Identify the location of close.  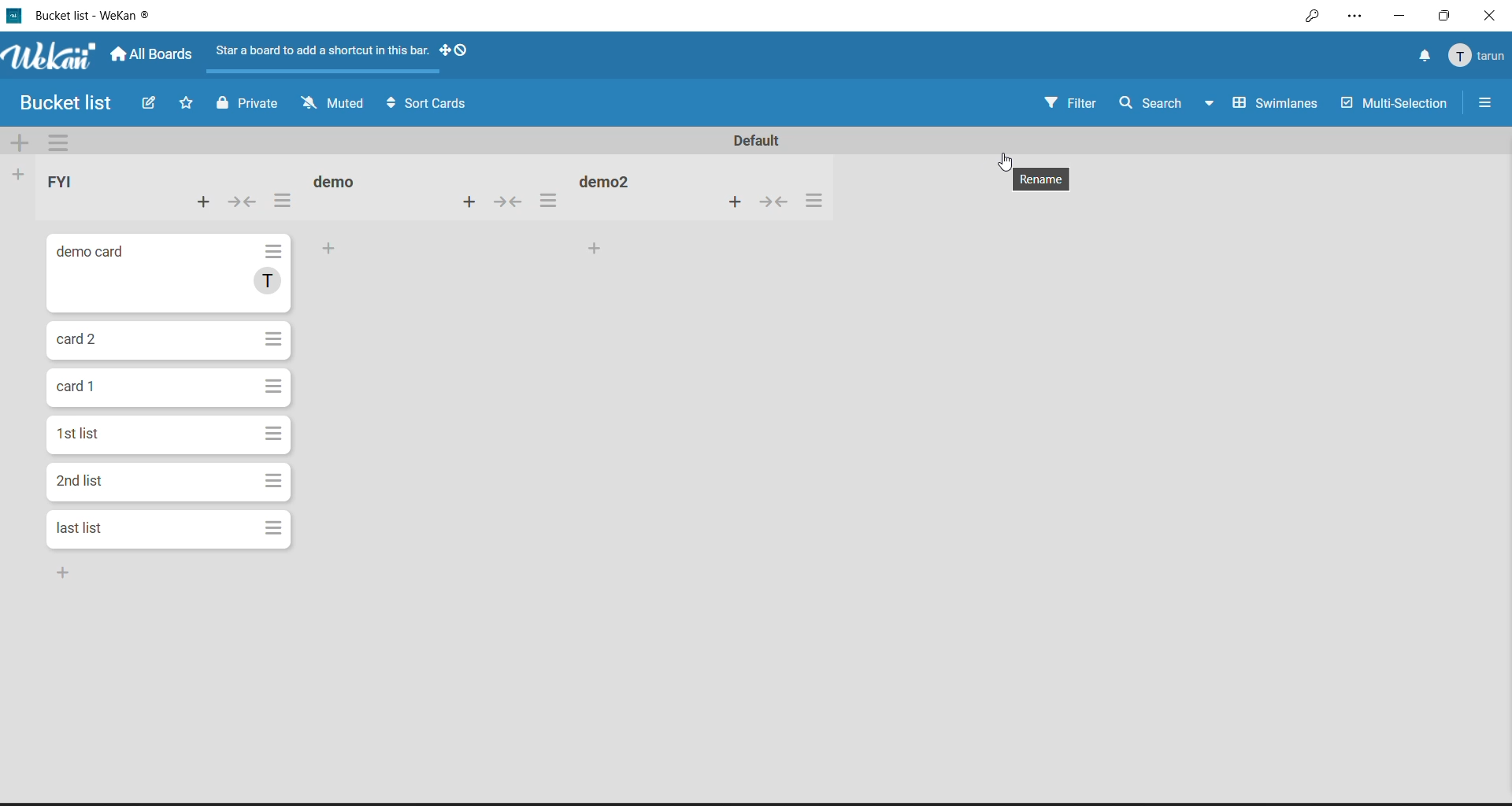
(1492, 14).